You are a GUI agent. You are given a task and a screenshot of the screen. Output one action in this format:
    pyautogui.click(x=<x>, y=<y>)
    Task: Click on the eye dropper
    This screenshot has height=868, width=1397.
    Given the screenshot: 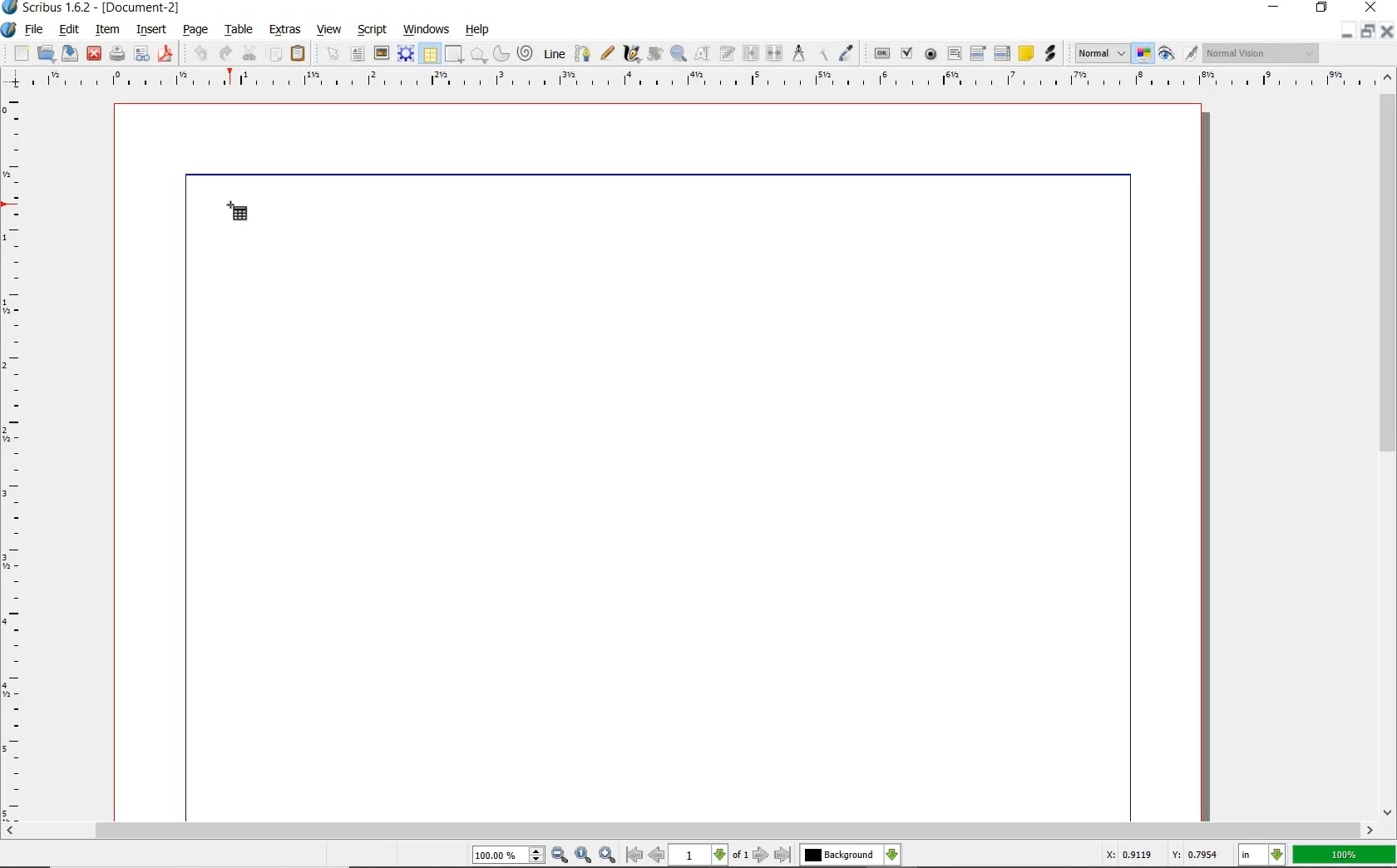 What is the action you would take?
    pyautogui.click(x=846, y=52)
    